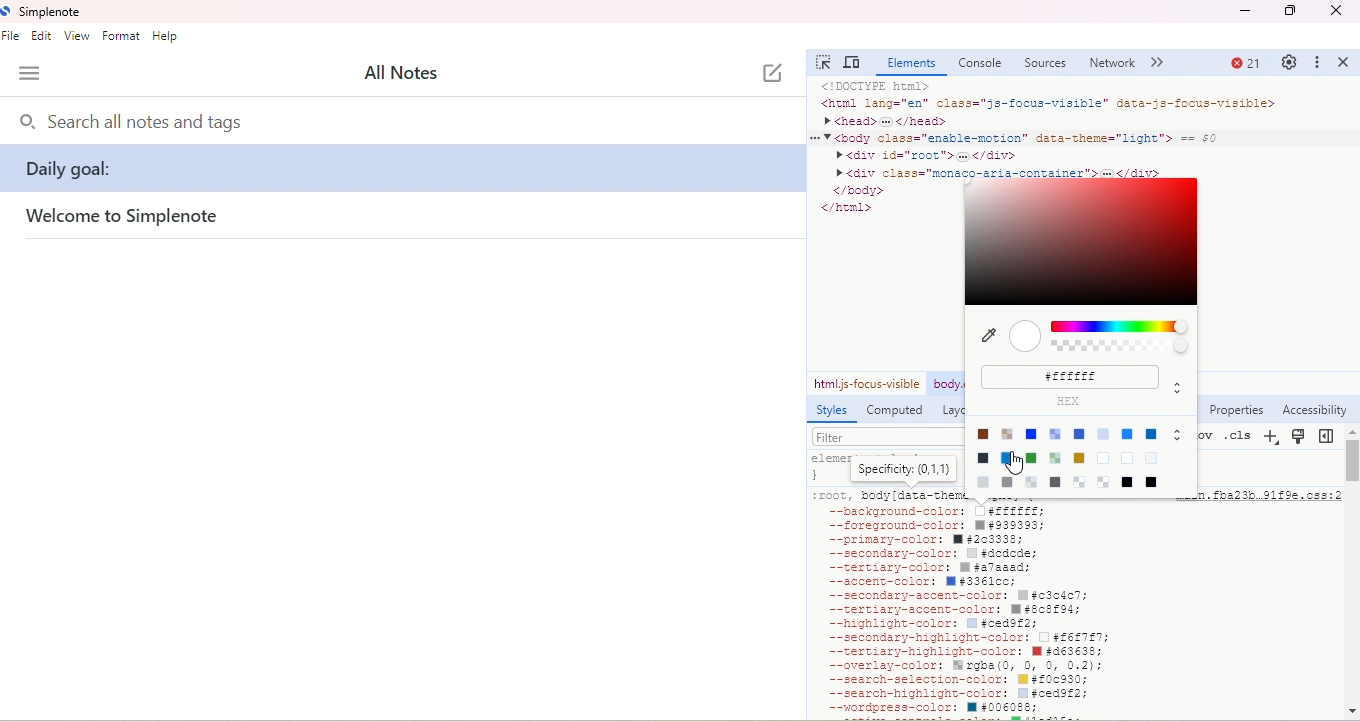 The image size is (1360, 722). I want to click on toggle rendering emulations, so click(1300, 438).